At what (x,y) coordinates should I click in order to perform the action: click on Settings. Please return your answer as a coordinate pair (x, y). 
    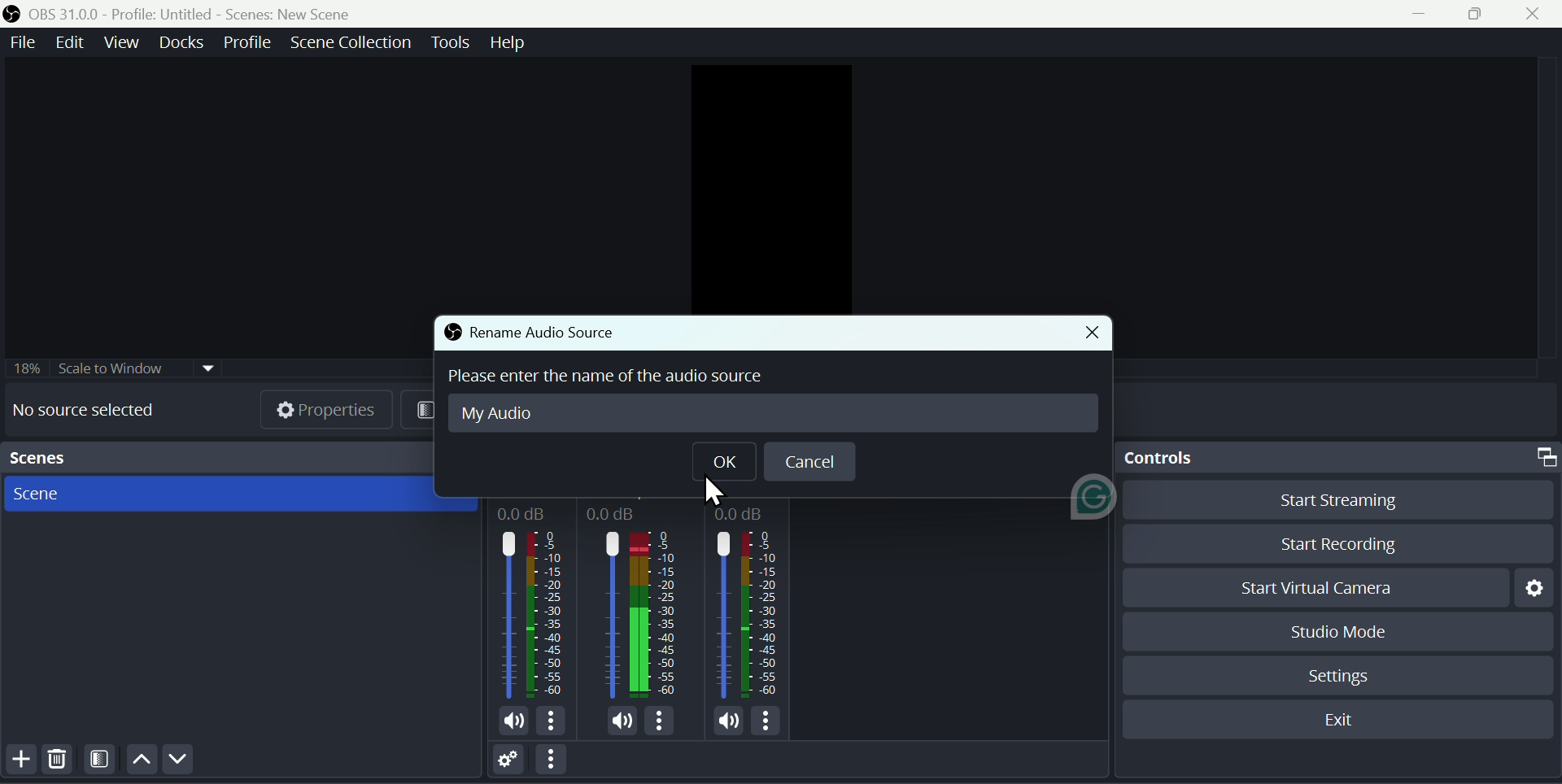
    Looking at the image, I should click on (1340, 675).